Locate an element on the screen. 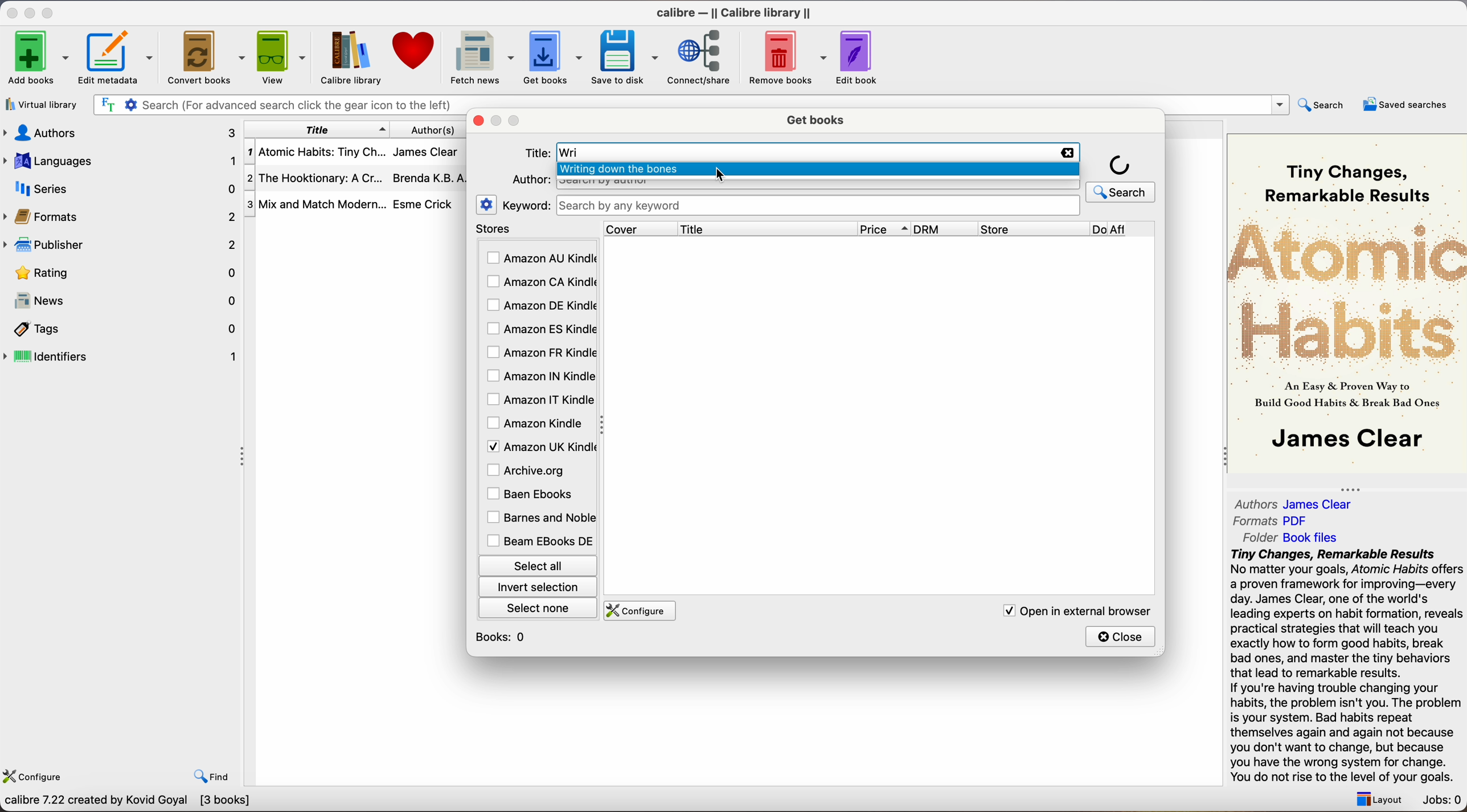 The width and height of the screenshot is (1467, 812). search is located at coordinates (1121, 177).